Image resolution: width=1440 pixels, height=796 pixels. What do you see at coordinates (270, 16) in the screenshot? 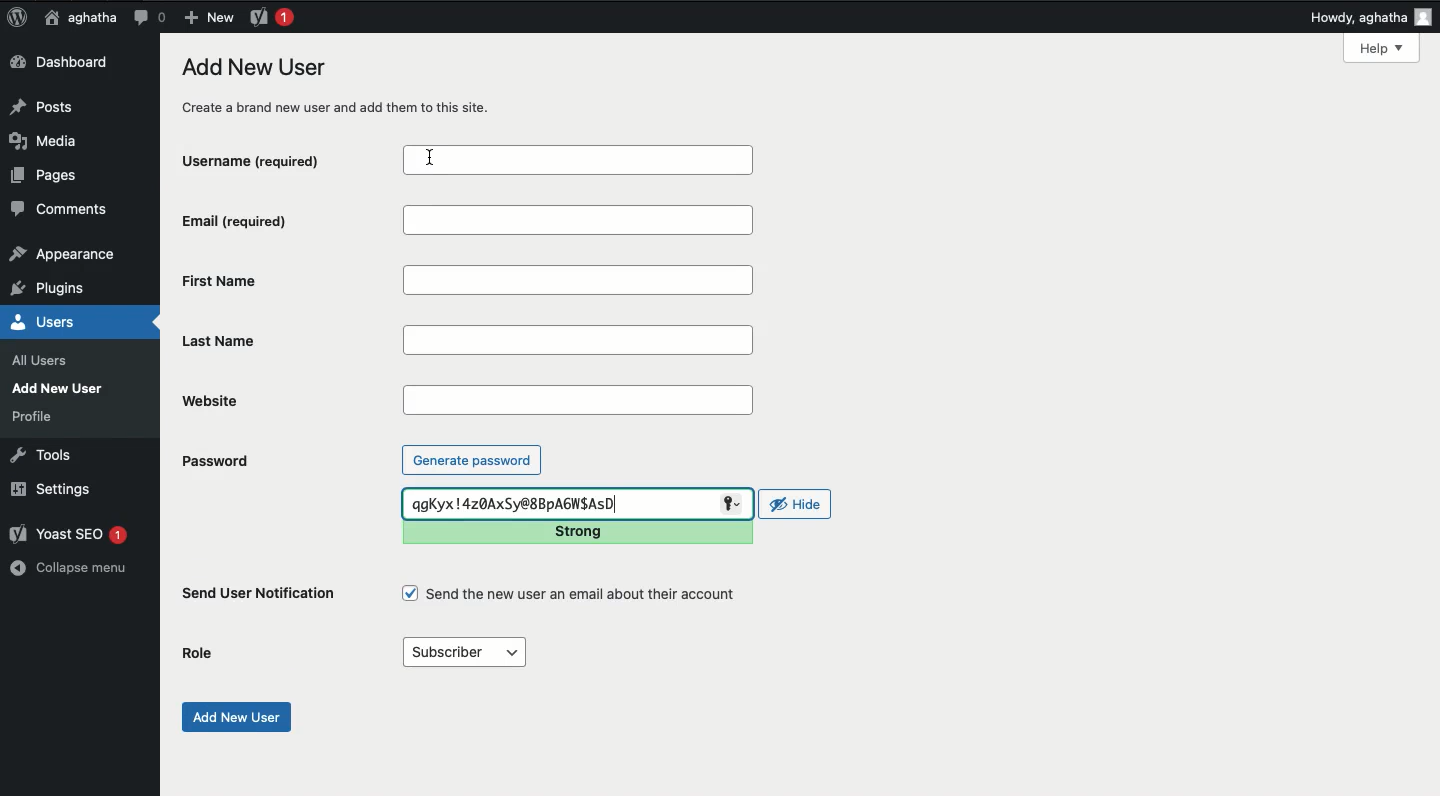
I see `Yoast` at bounding box center [270, 16].